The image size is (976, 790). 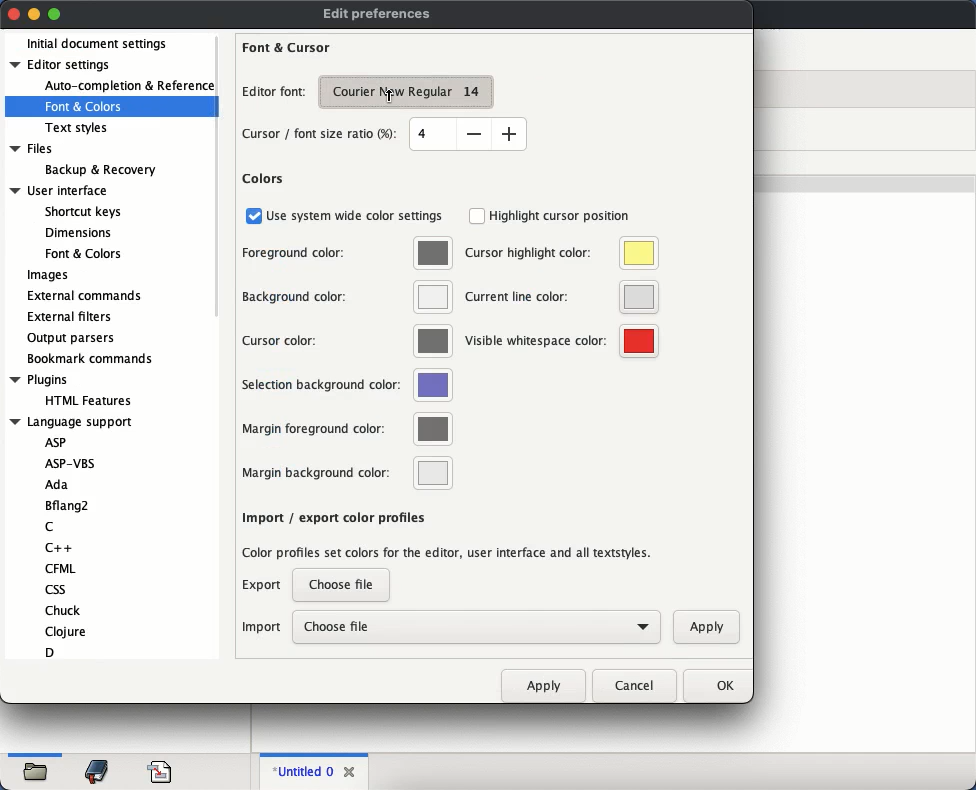 I want to click on cursor highlight color, so click(x=561, y=253).